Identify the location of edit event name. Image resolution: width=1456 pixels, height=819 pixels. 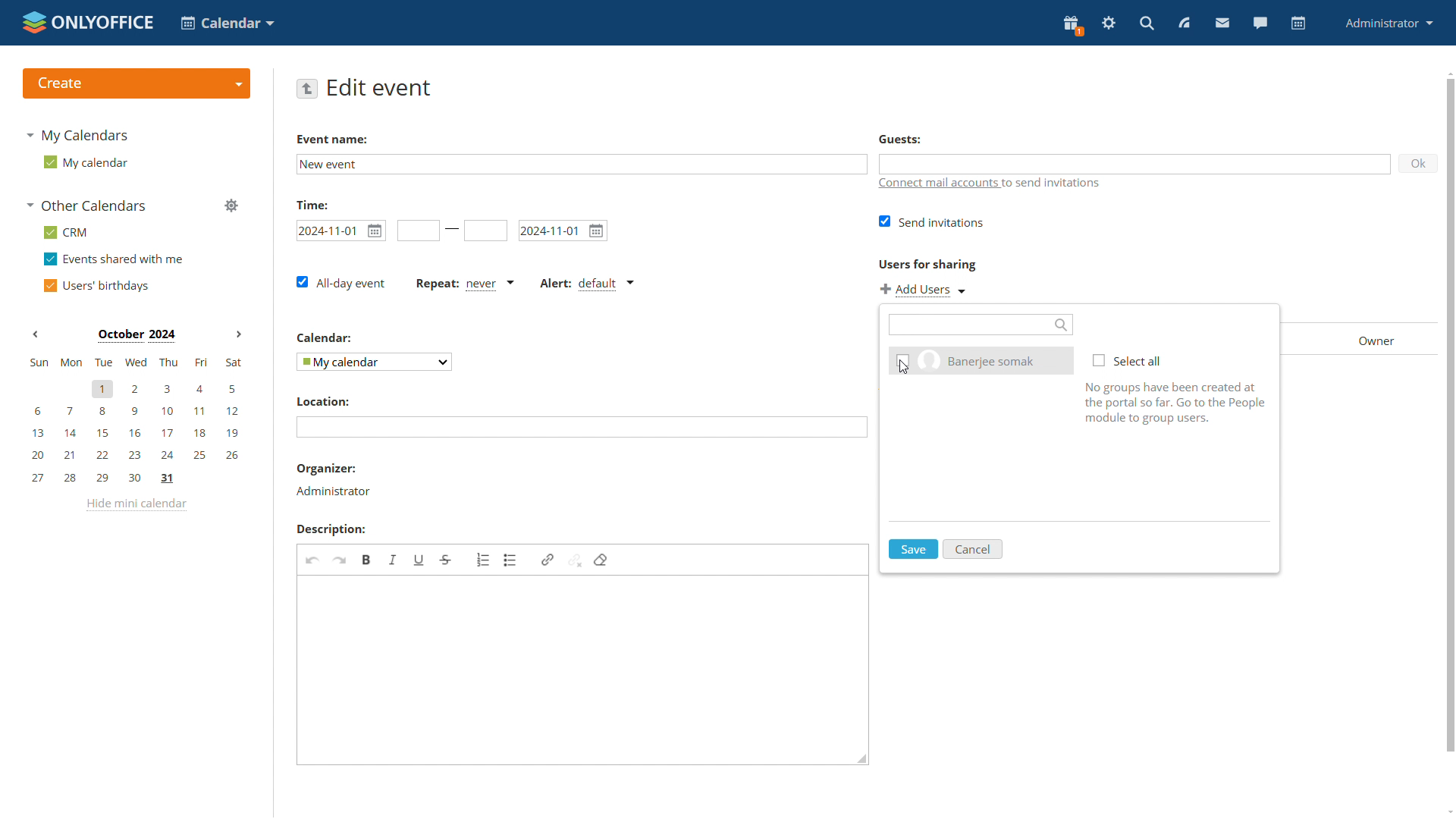
(582, 165).